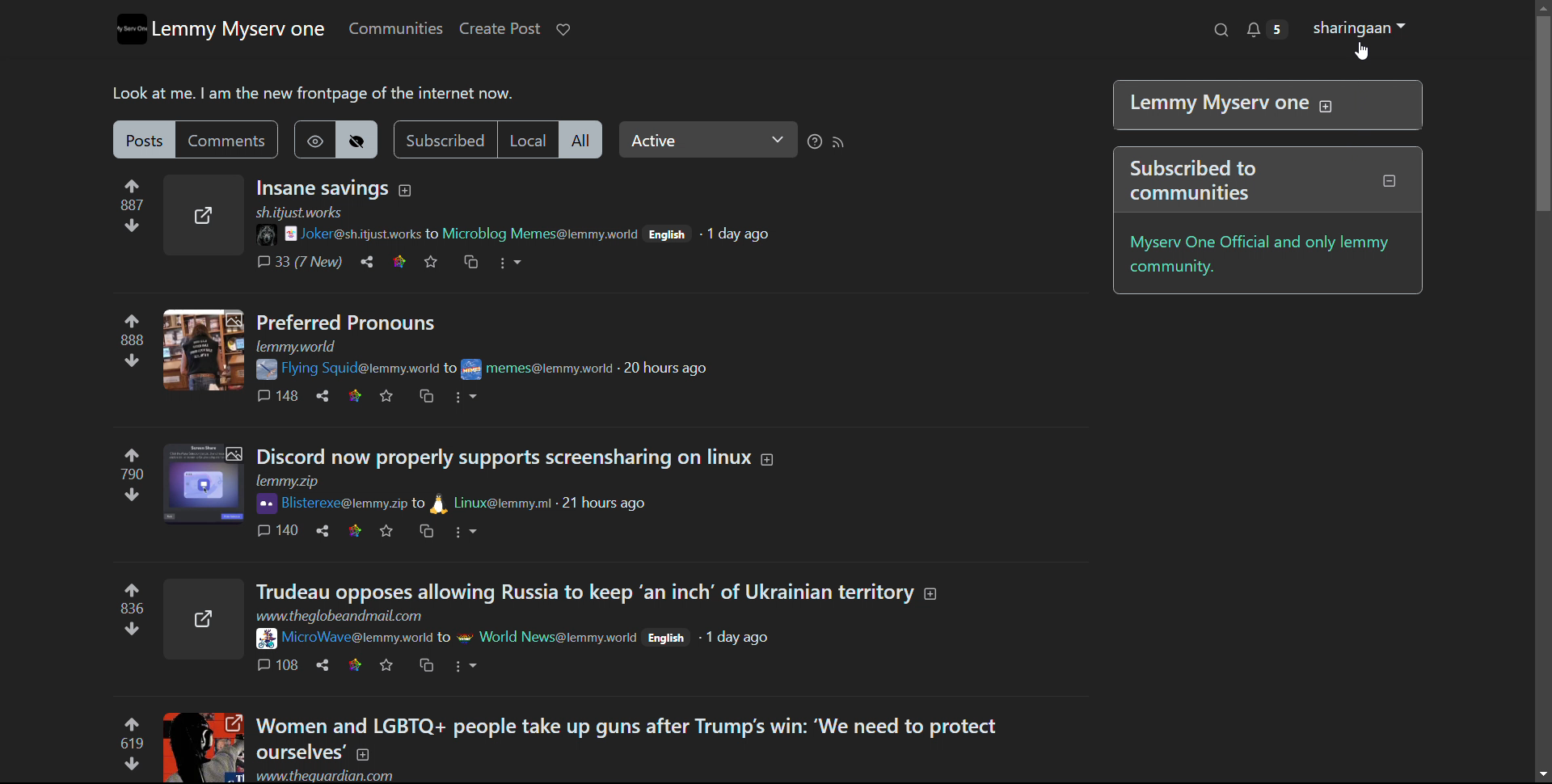 The image size is (1552, 784). What do you see at coordinates (355, 664) in the screenshot?
I see `link` at bounding box center [355, 664].